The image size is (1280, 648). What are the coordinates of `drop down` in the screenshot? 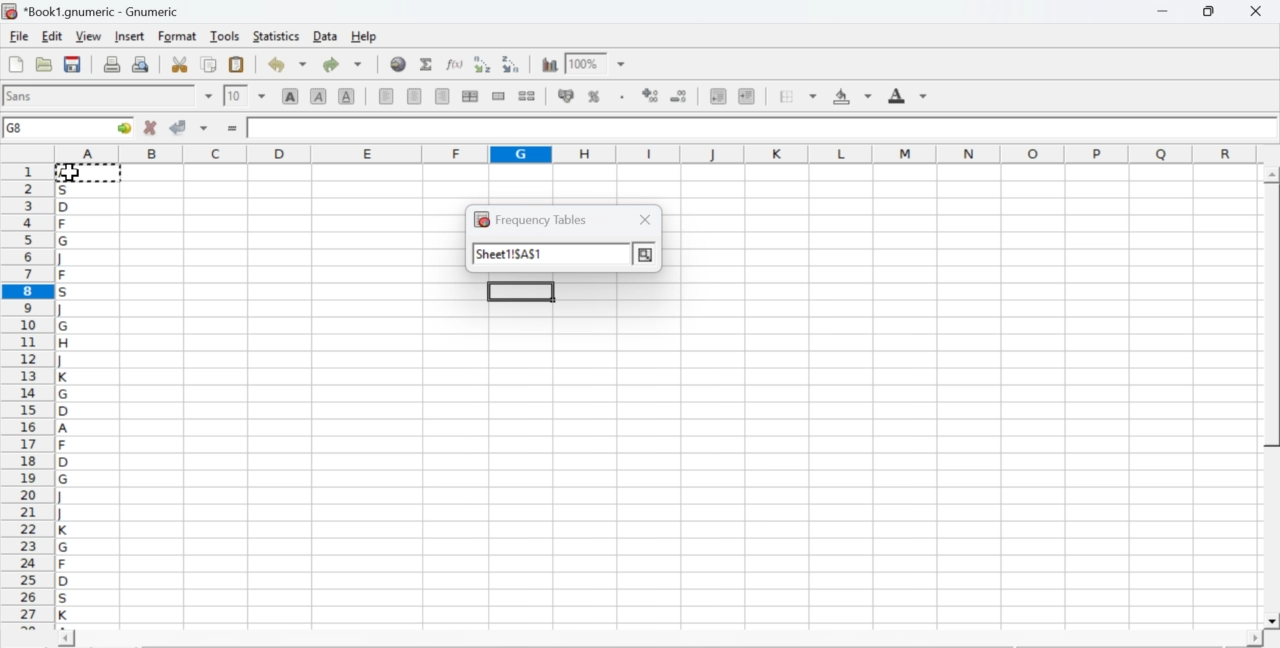 It's located at (622, 65).